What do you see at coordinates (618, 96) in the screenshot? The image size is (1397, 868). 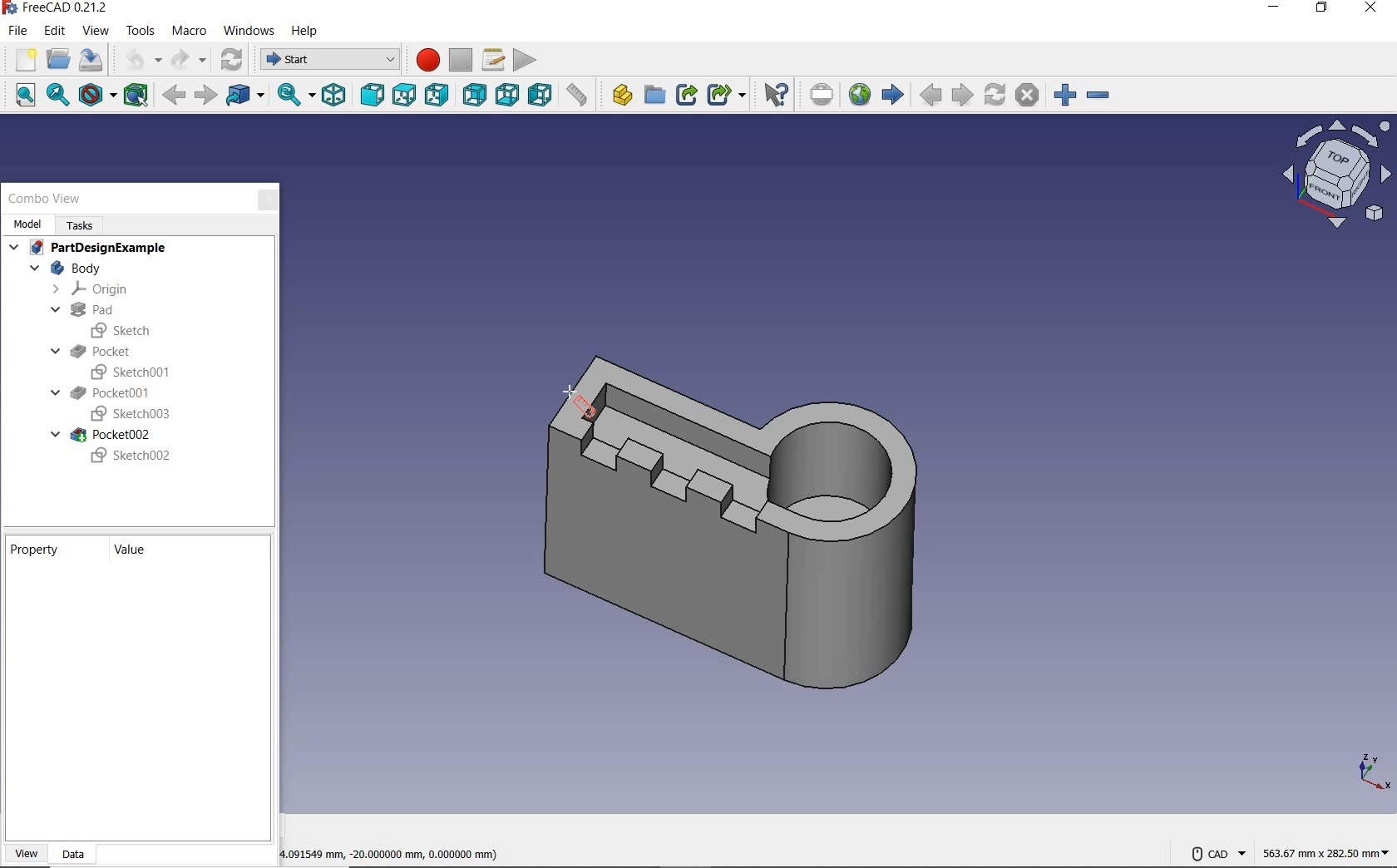 I see `create part` at bounding box center [618, 96].